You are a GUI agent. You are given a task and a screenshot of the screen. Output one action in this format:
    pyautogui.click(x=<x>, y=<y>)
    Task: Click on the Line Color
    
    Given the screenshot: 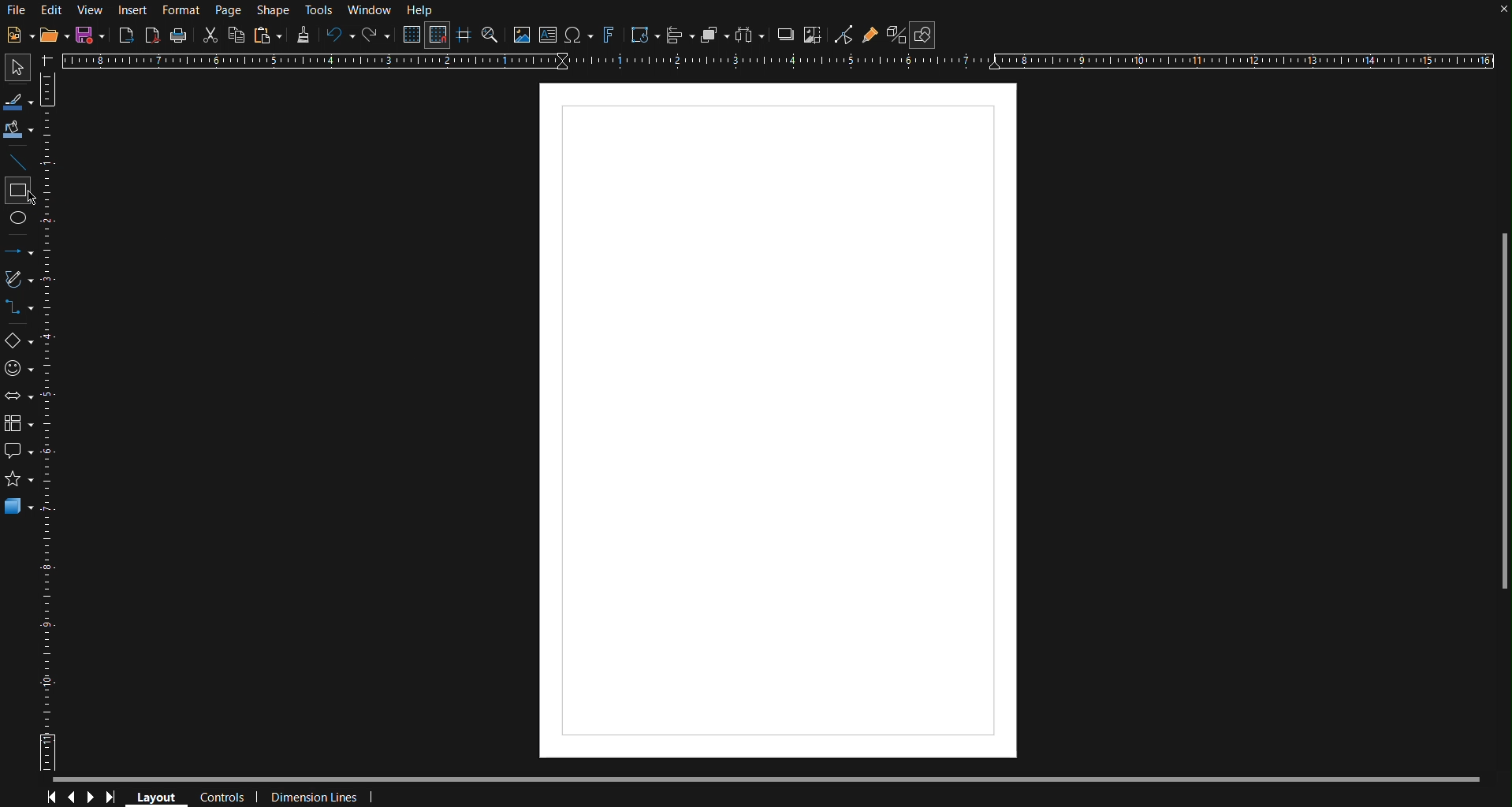 What is the action you would take?
    pyautogui.click(x=19, y=99)
    